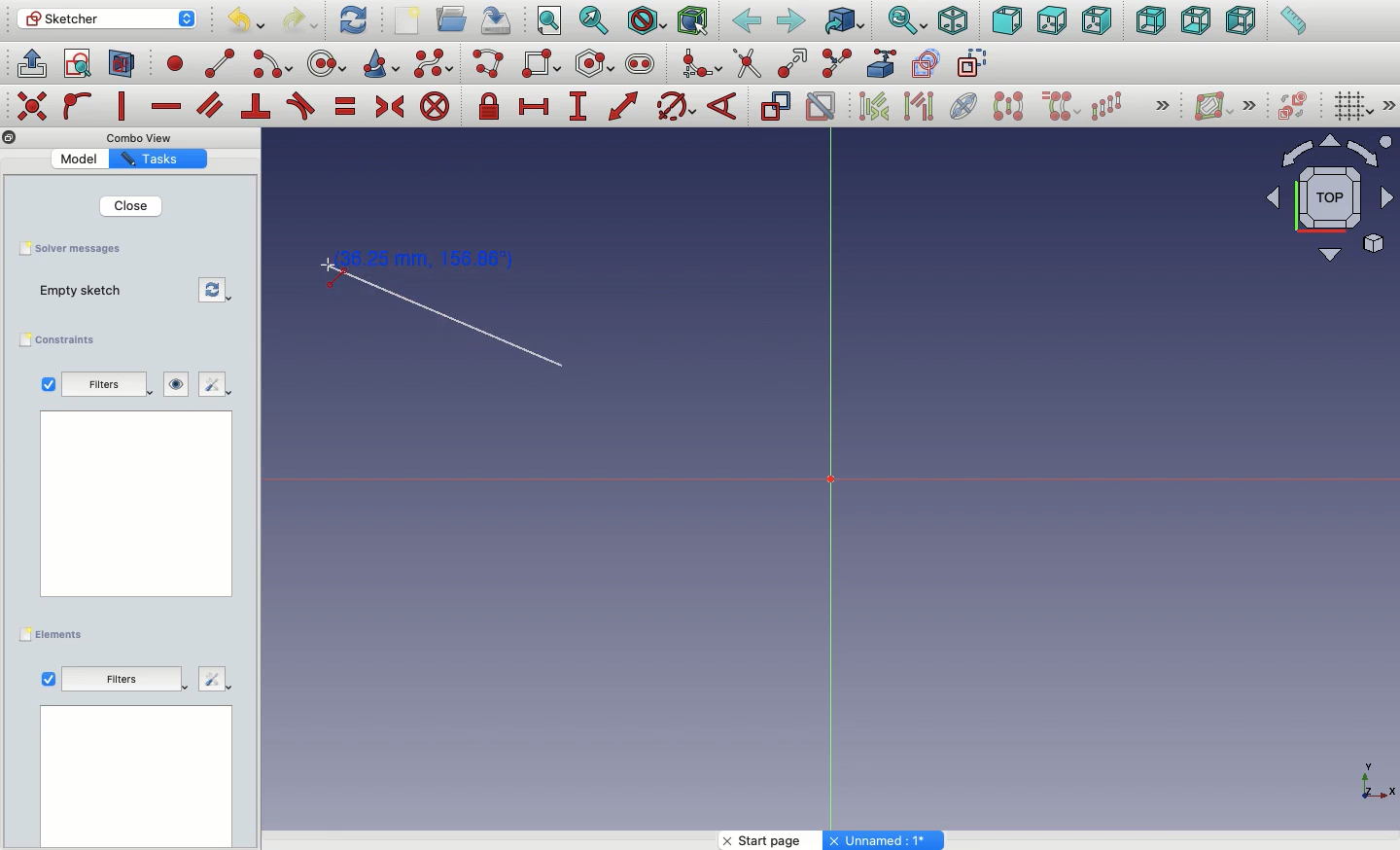 The height and width of the screenshot is (850, 1400). What do you see at coordinates (700, 64) in the screenshot?
I see `Create fillet` at bounding box center [700, 64].